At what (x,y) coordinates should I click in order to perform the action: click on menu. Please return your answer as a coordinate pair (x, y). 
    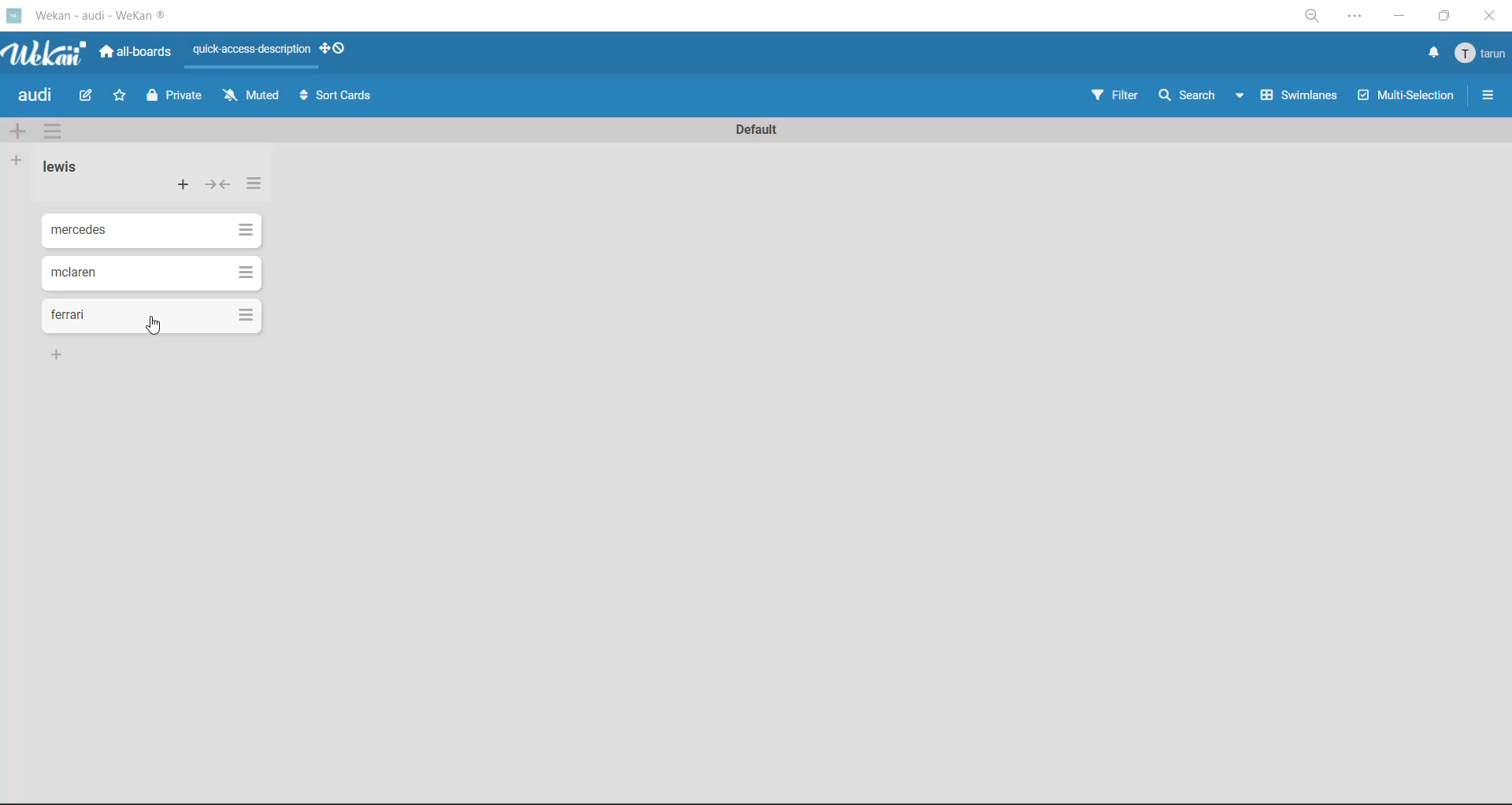
    Looking at the image, I should click on (1479, 57).